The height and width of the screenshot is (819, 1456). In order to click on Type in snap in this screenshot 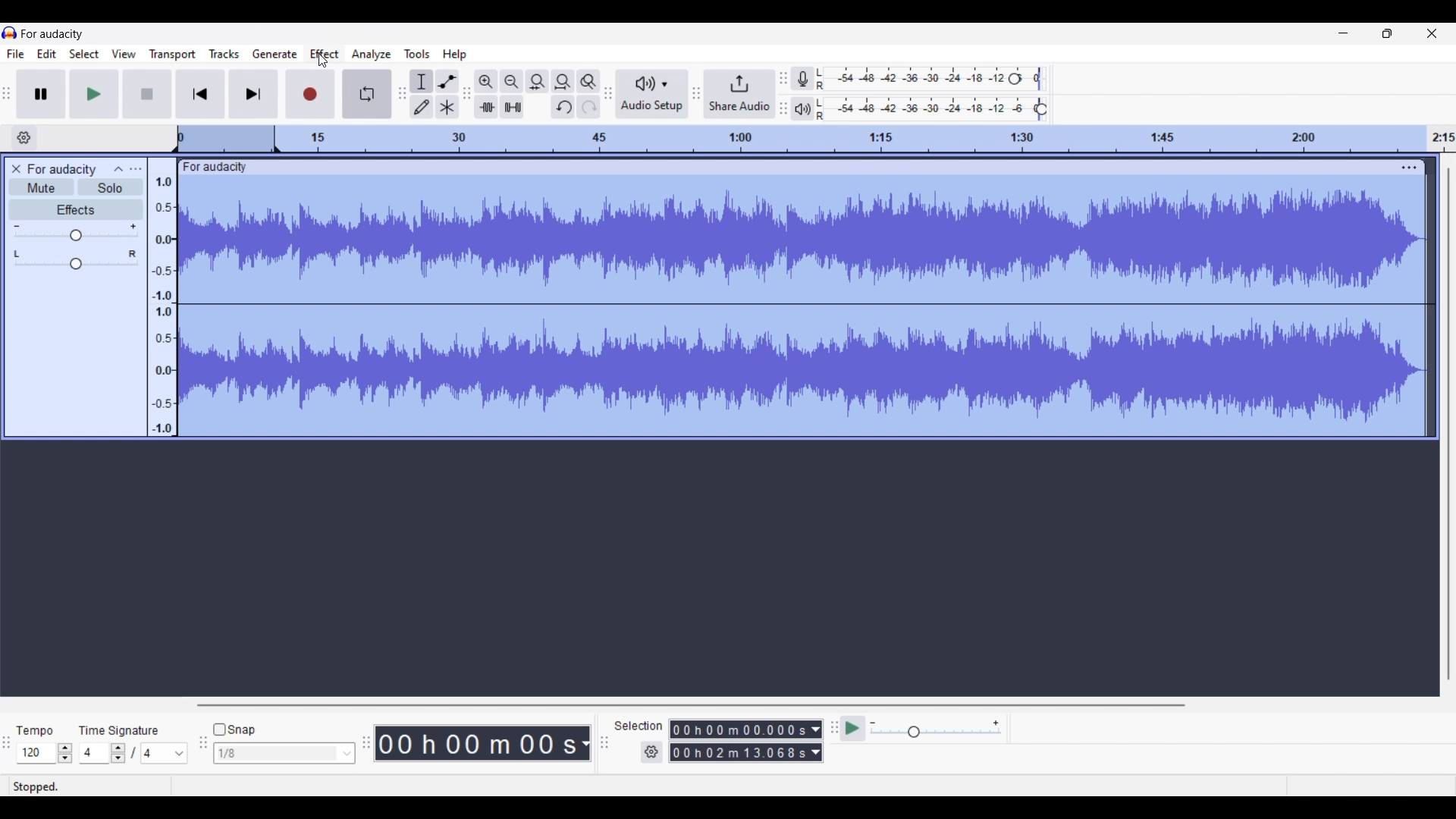, I will do `click(277, 754)`.